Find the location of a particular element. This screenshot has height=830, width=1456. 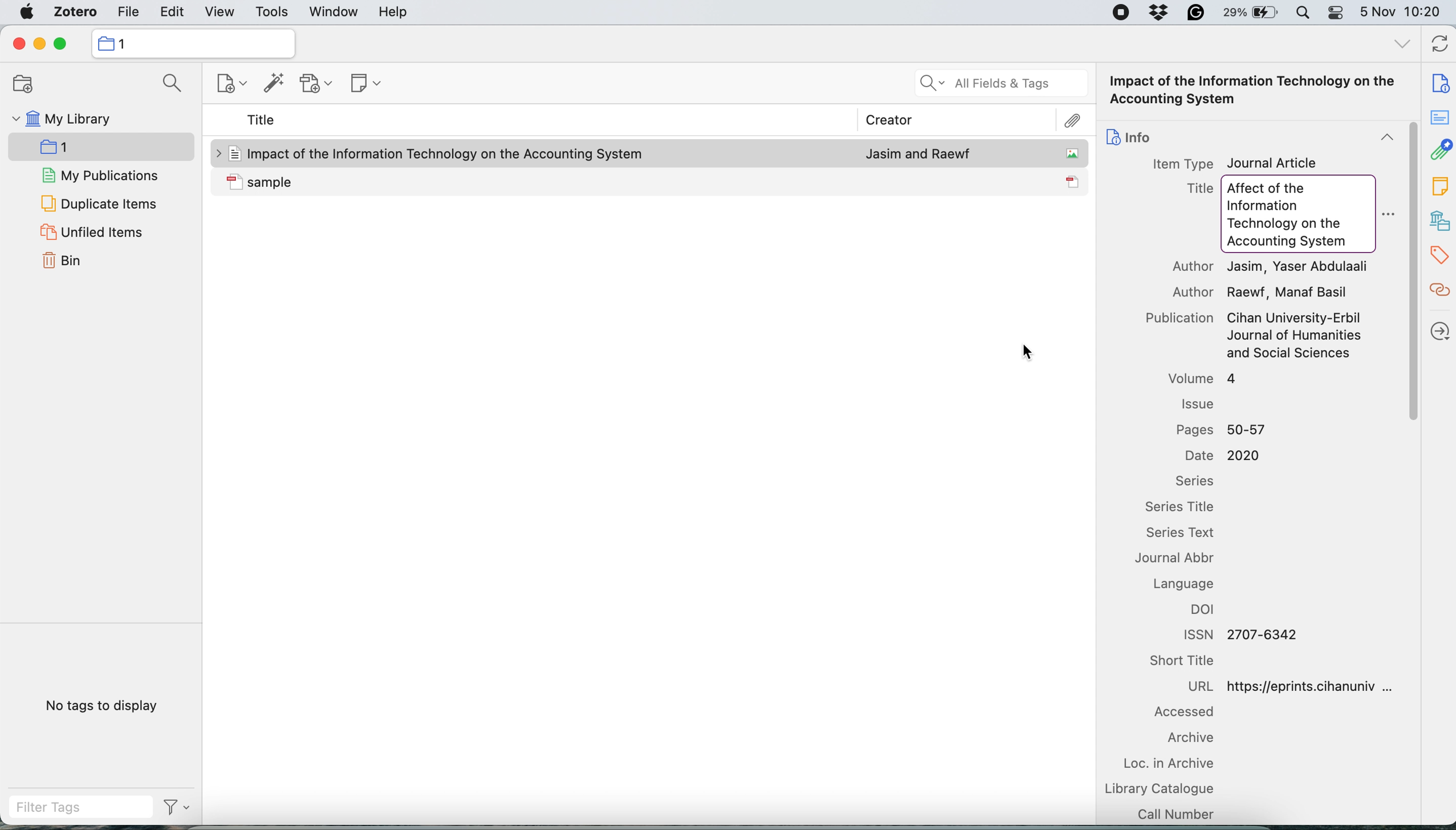

vertical scroll bar is located at coordinates (1410, 272).